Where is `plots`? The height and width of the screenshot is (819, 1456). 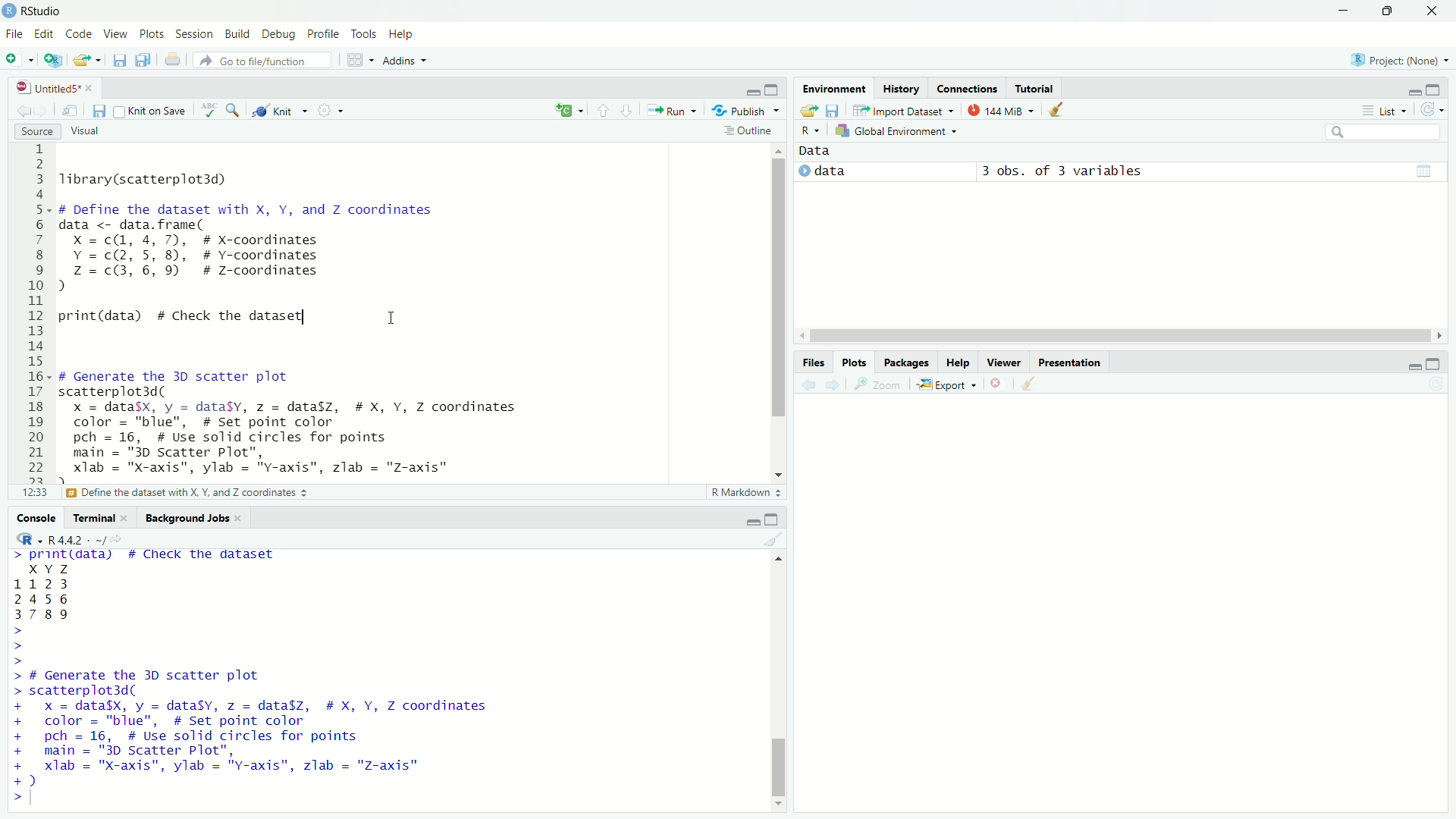 plots is located at coordinates (152, 36).